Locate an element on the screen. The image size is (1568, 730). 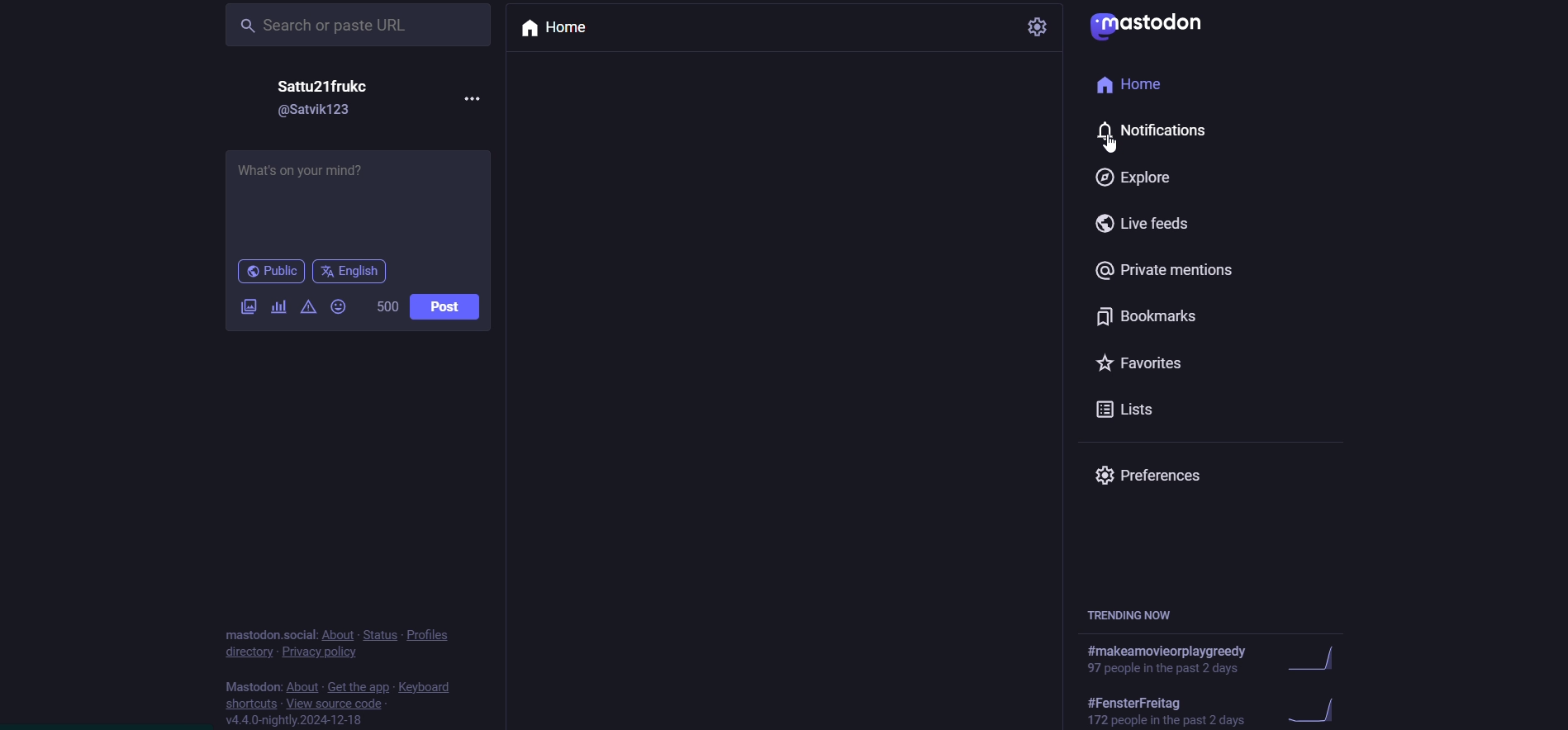
privacy policy is located at coordinates (324, 652).